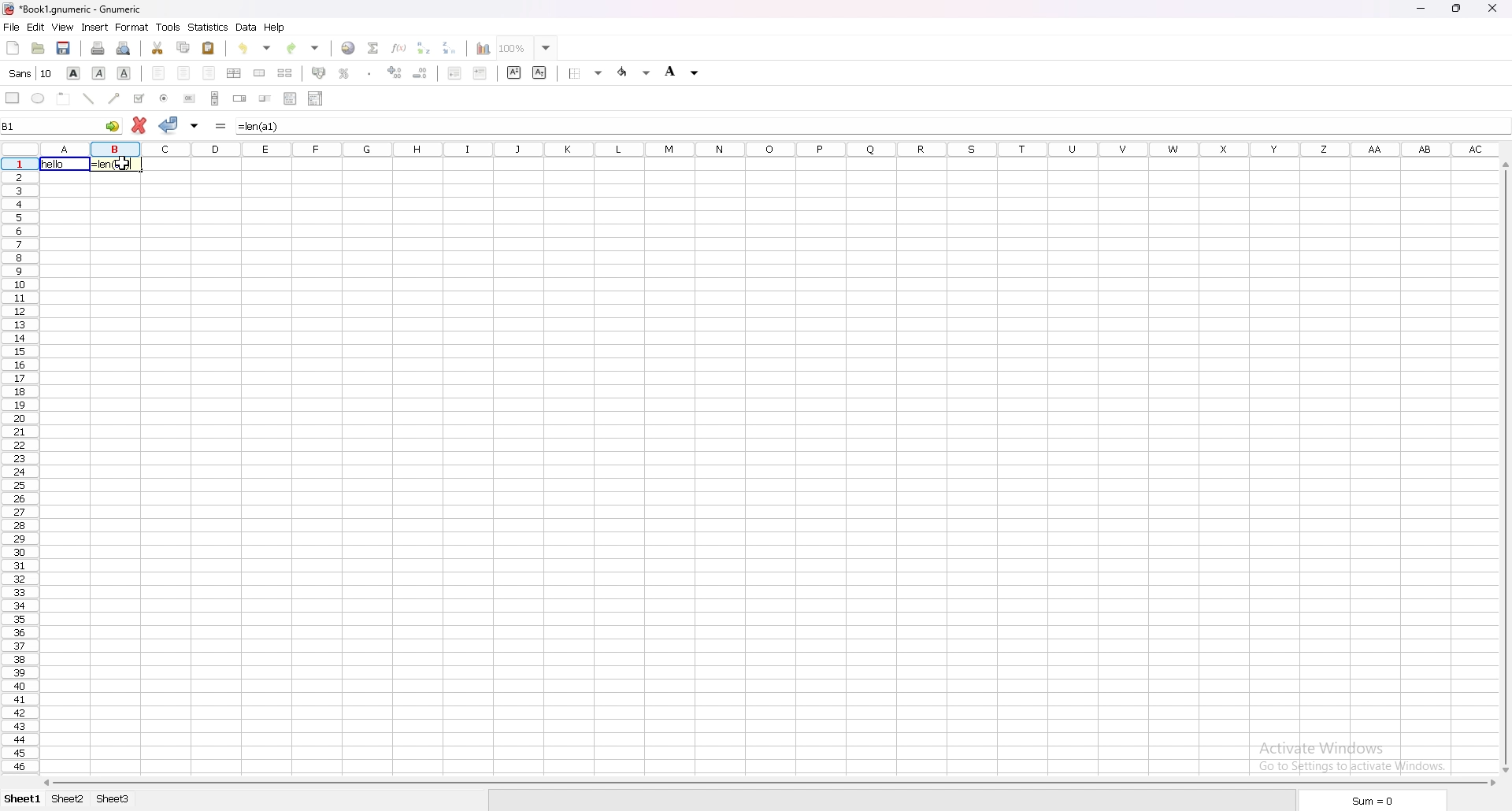 This screenshot has width=1512, height=811. Describe the element at coordinates (190, 98) in the screenshot. I see `create button` at that location.